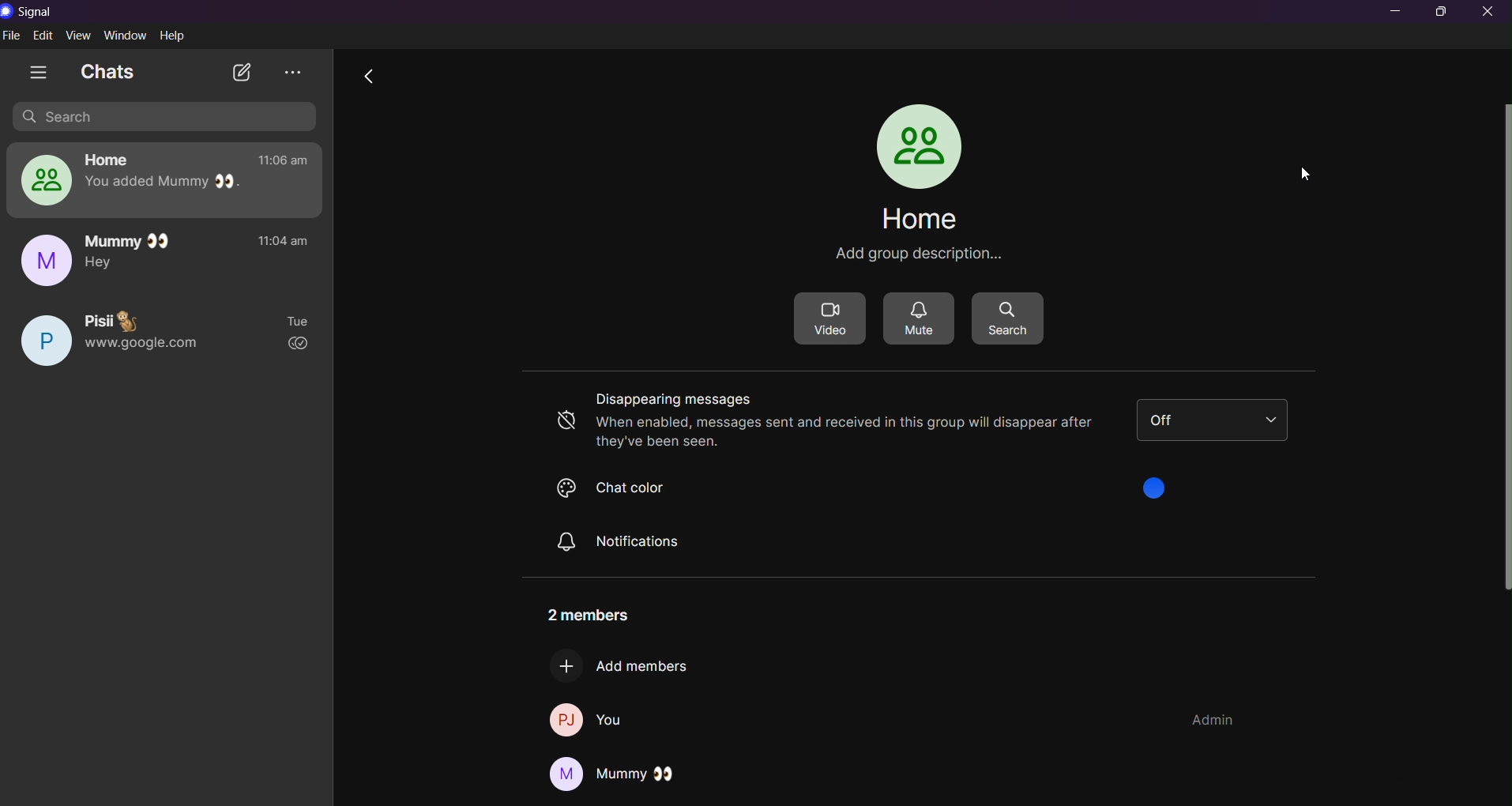  What do you see at coordinates (930, 421) in the screenshot?
I see `disappearing messages off` at bounding box center [930, 421].